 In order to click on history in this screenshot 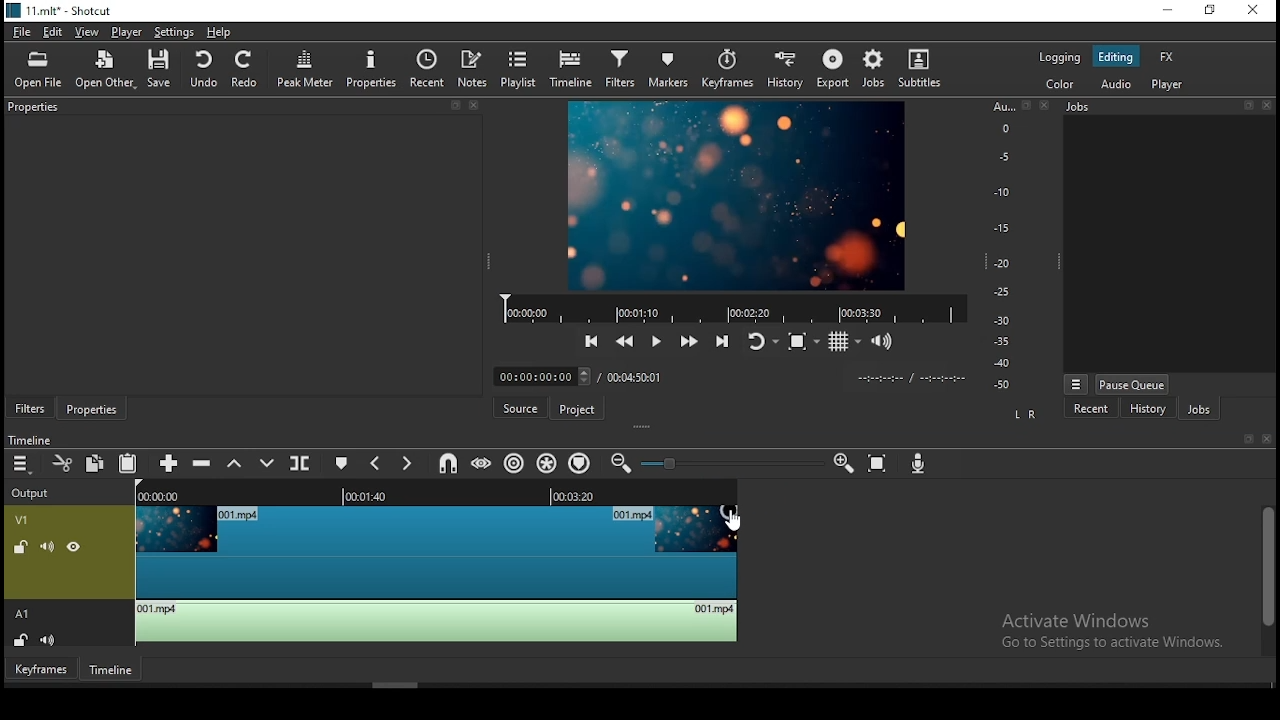, I will do `click(782, 70)`.